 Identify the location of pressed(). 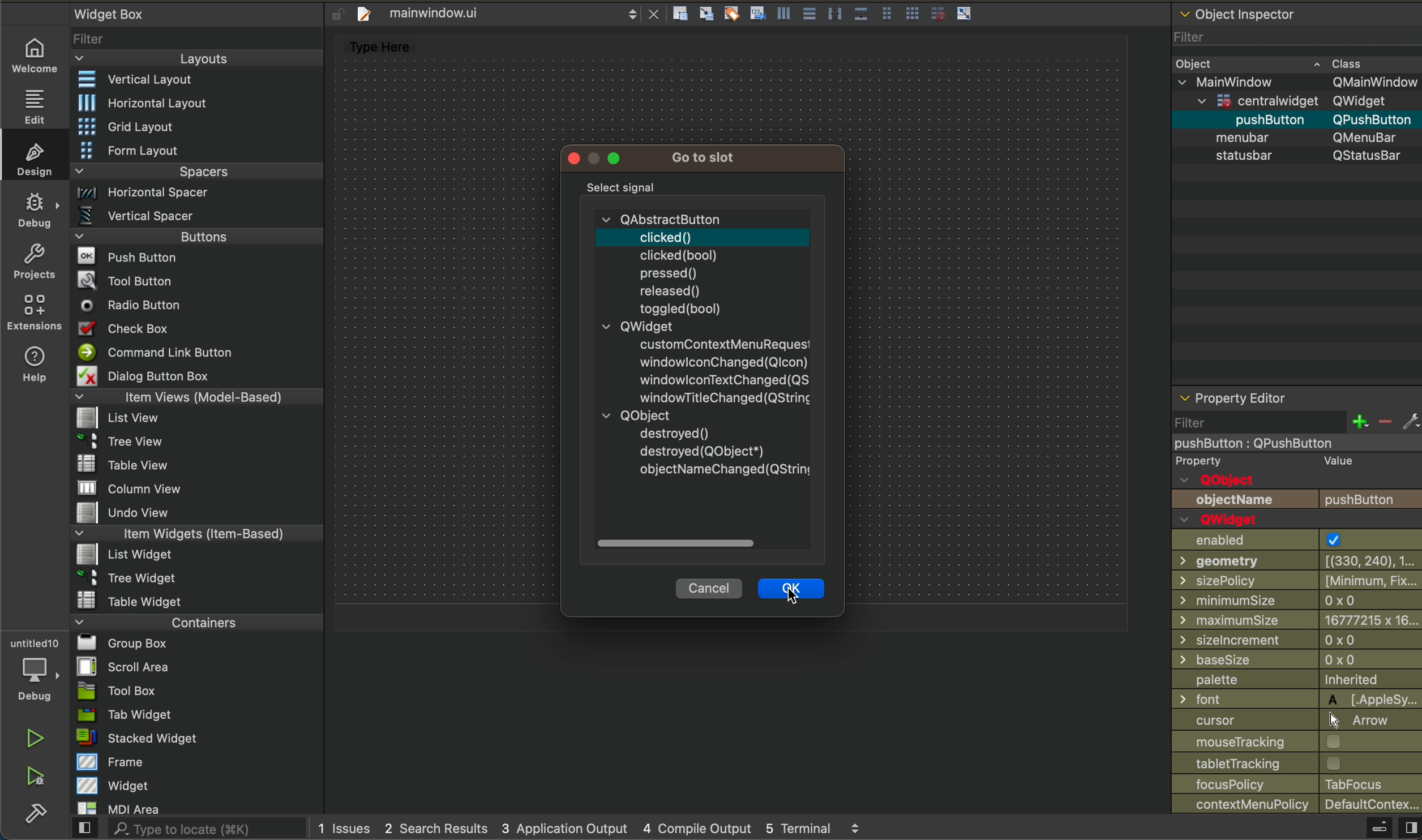
(671, 272).